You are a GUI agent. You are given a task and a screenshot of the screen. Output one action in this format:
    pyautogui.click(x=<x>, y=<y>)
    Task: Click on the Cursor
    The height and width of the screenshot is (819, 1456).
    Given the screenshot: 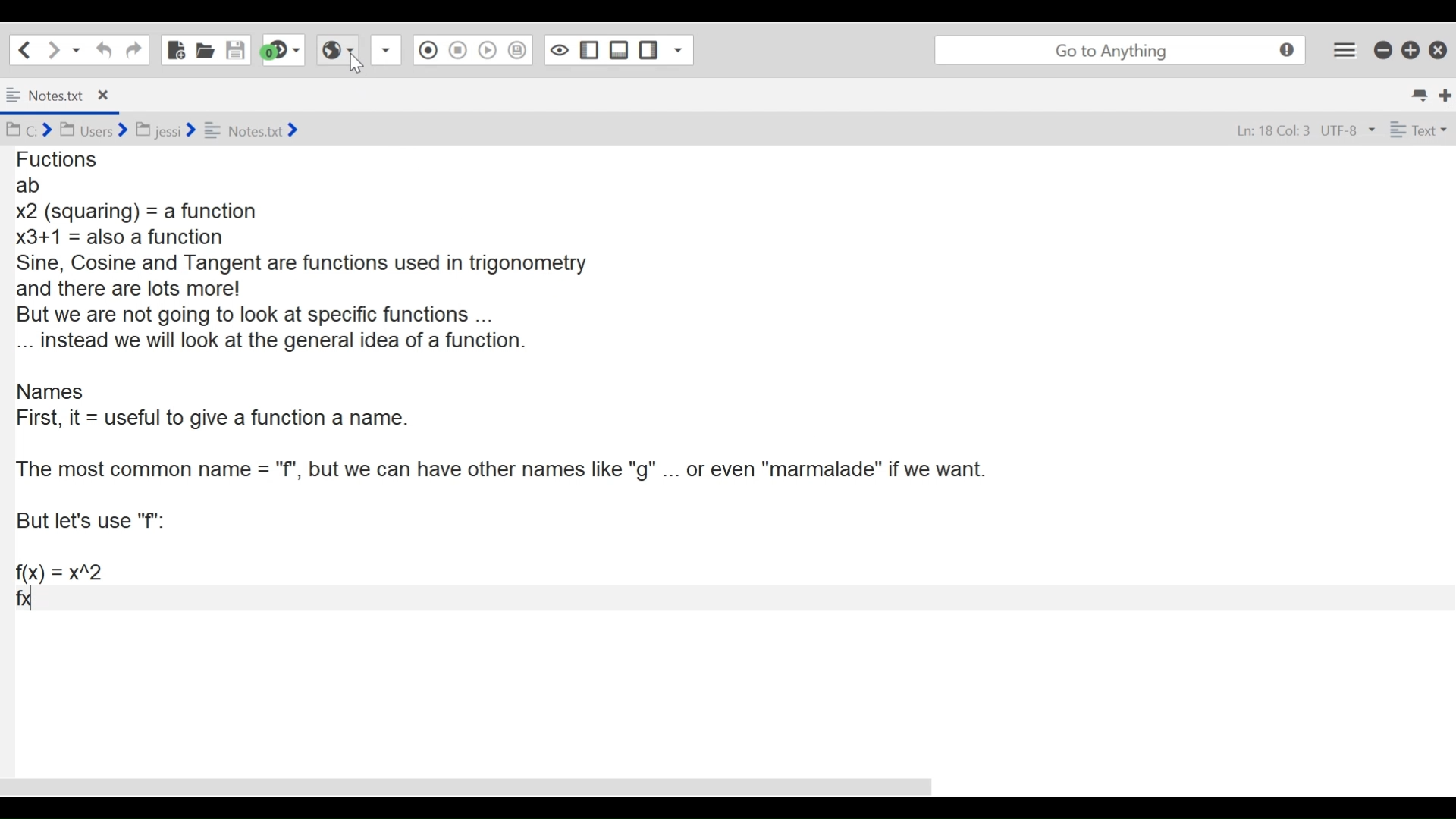 What is the action you would take?
    pyautogui.click(x=356, y=62)
    